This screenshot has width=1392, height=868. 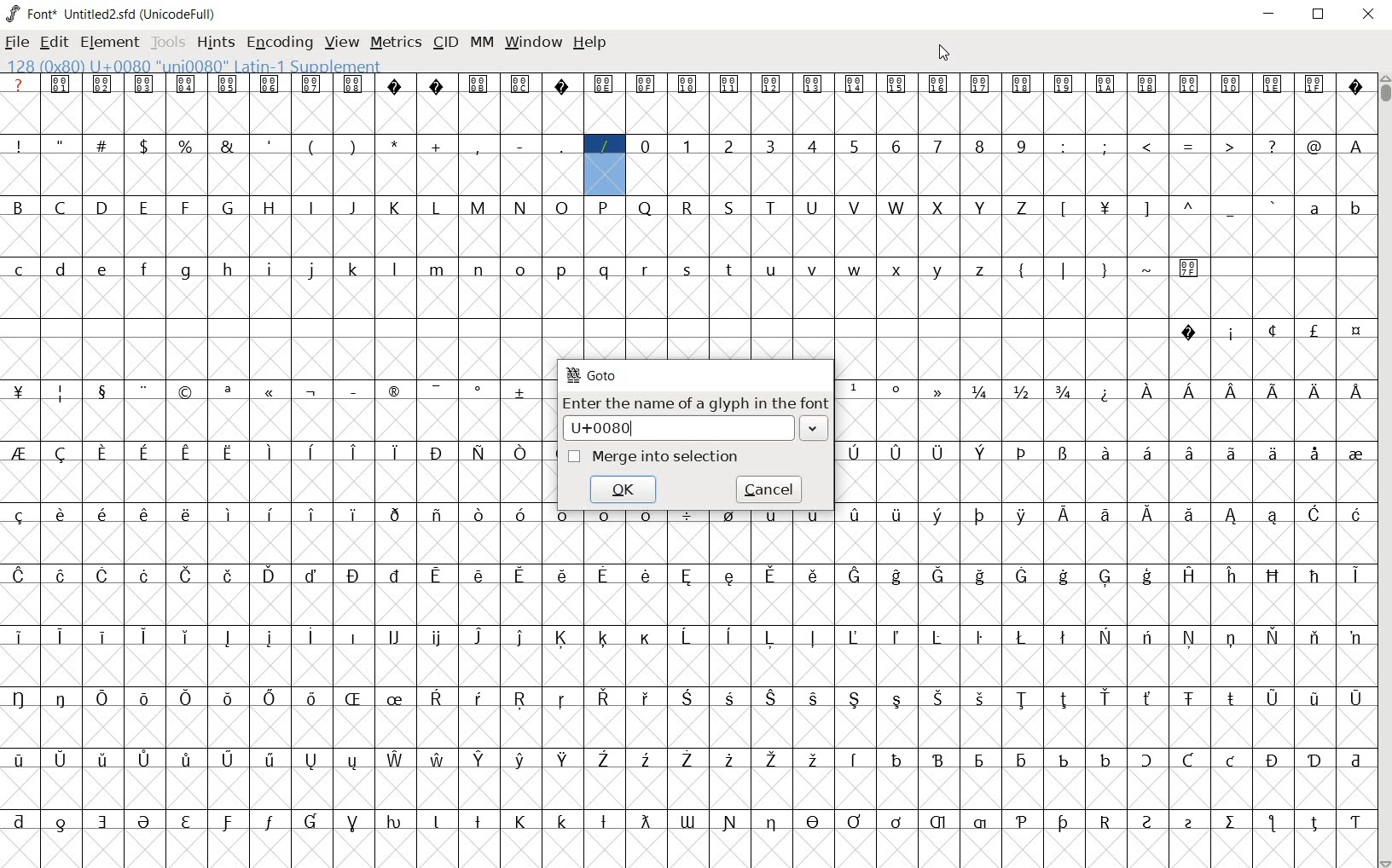 I want to click on glyph, so click(x=1023, y=761).